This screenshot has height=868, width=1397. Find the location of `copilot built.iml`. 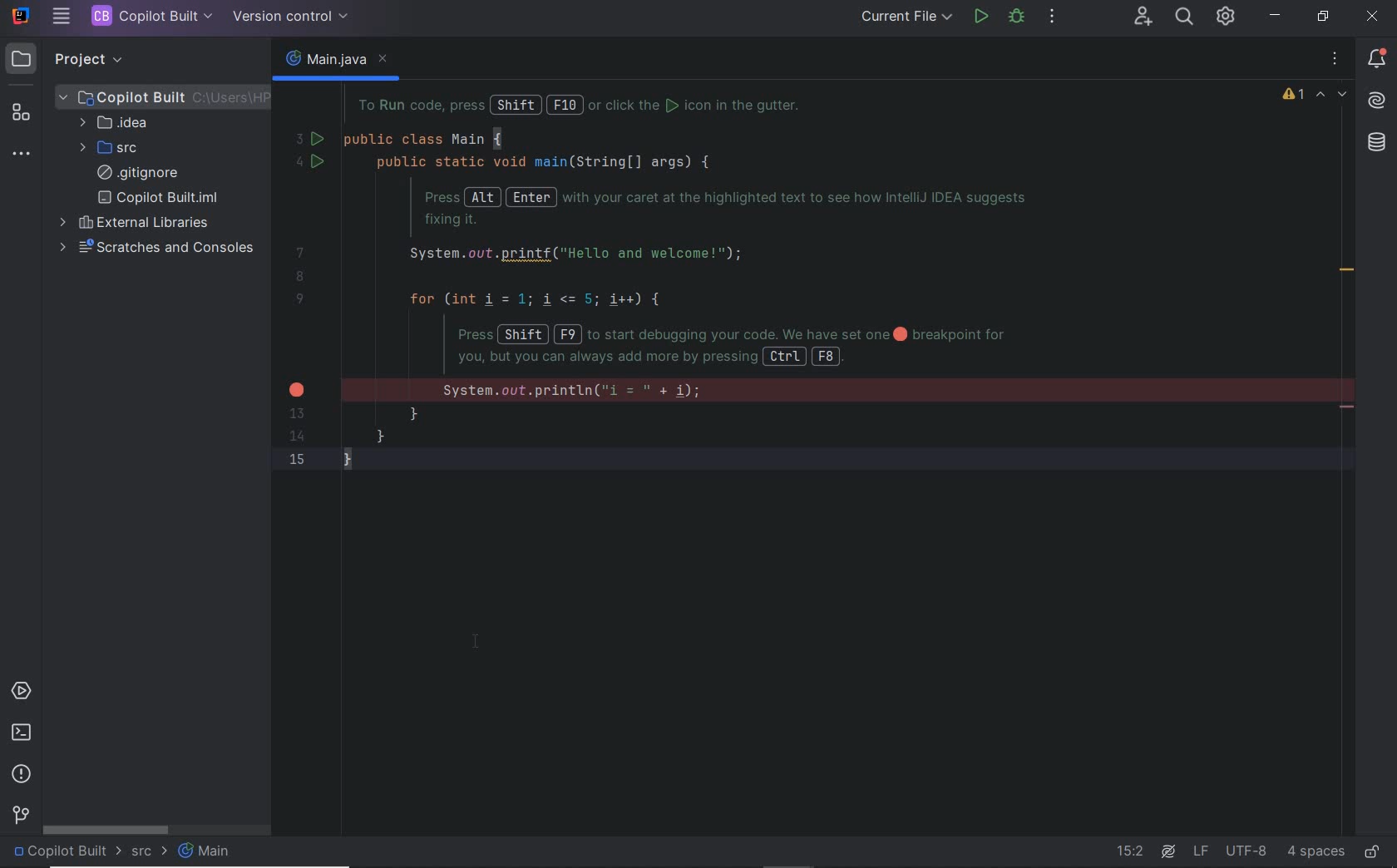

copilot built.iml is located at coordinates (160, 198).